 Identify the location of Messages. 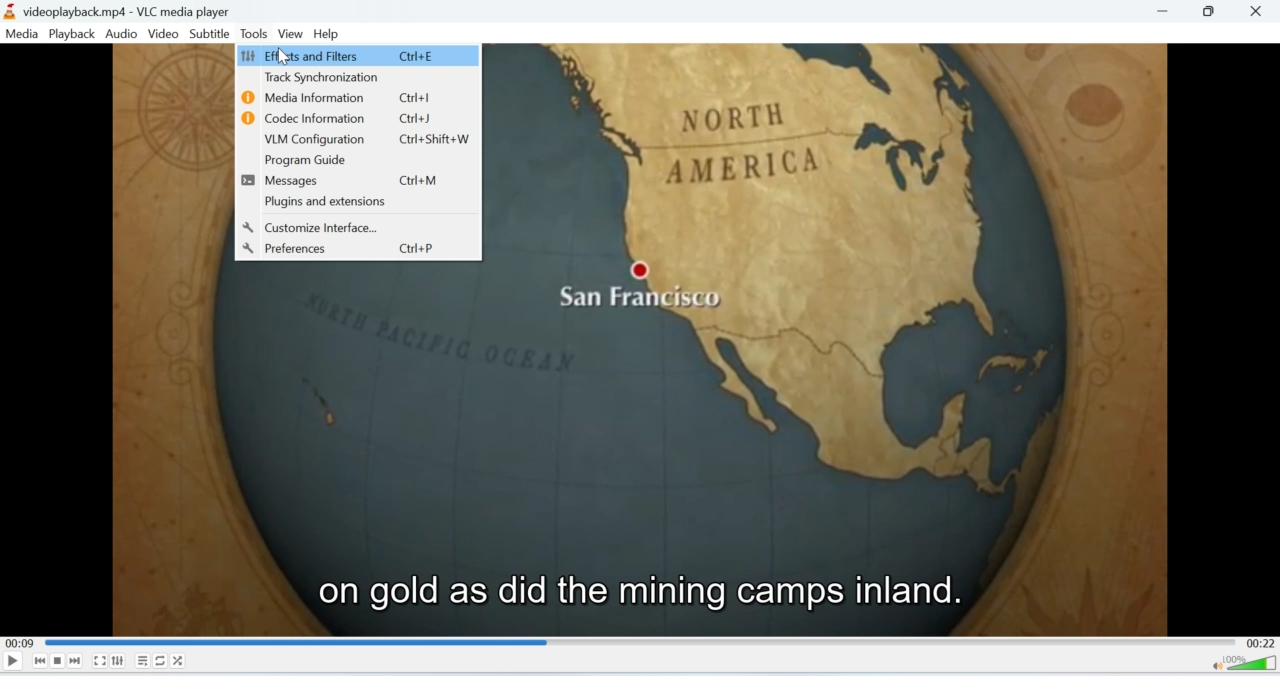
(284, 182).